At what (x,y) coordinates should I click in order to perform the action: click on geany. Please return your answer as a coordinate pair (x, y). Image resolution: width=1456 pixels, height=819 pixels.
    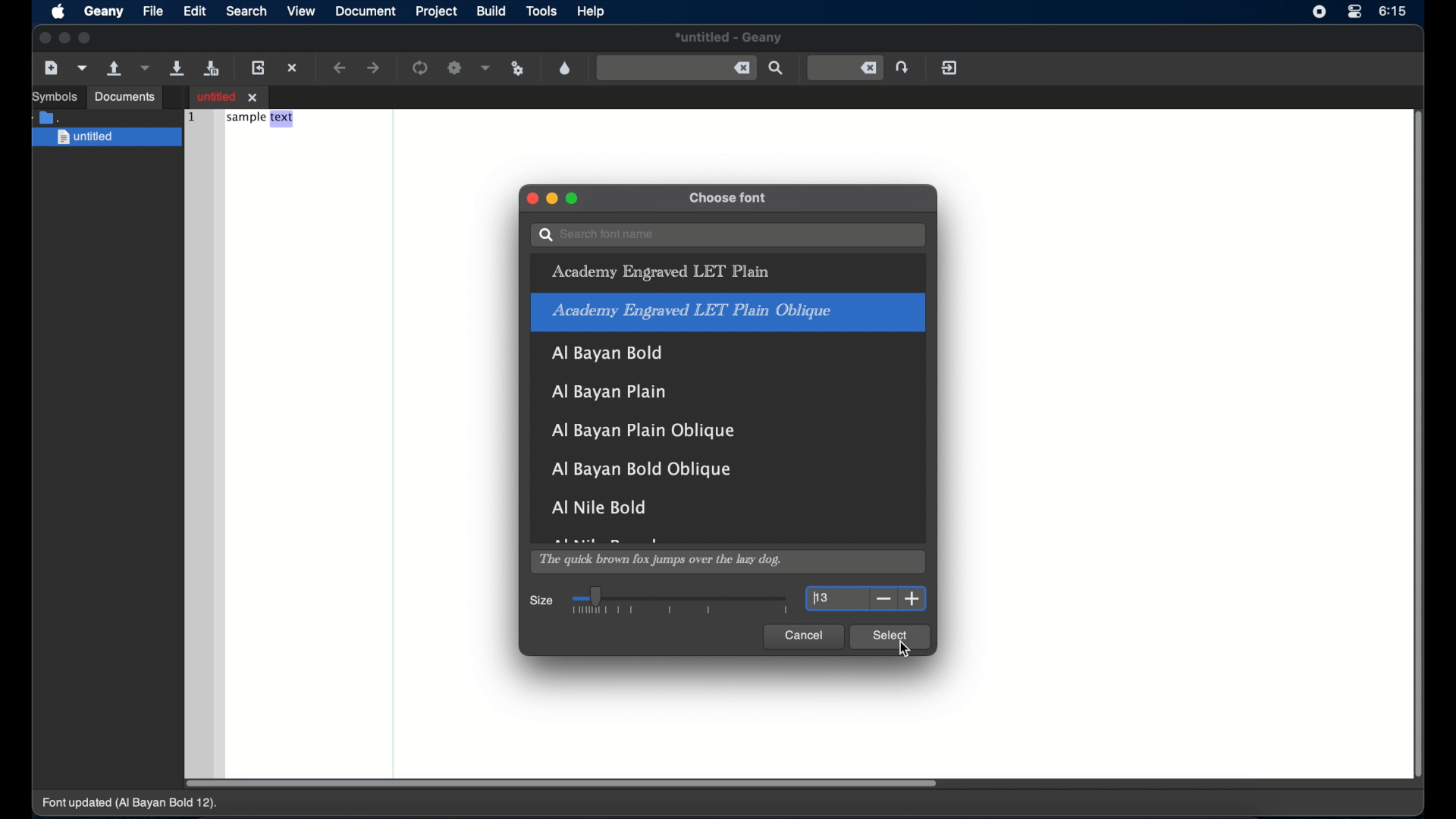
    Looking at the image, I should click on (104, 12).